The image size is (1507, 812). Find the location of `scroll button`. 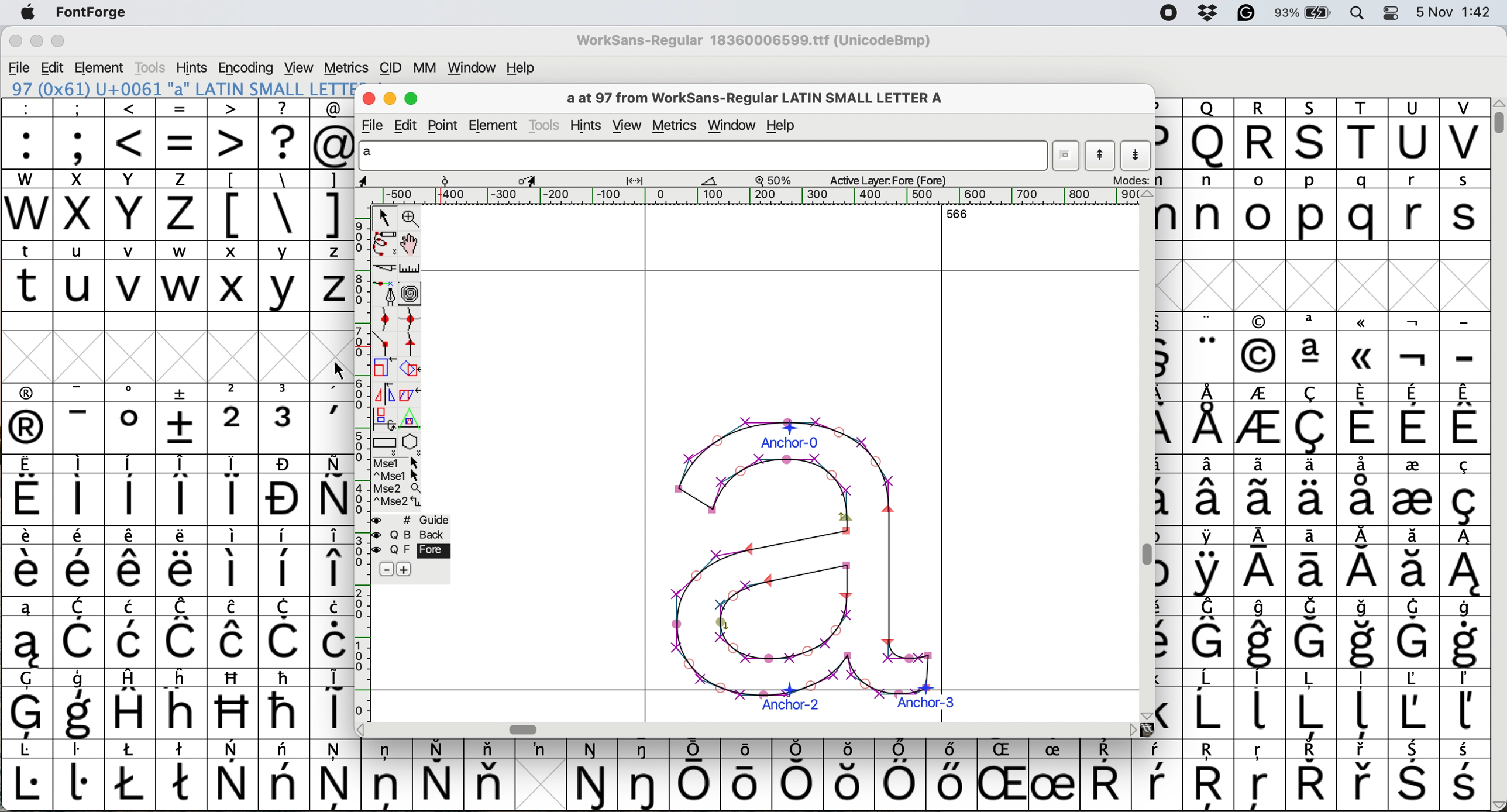

scroll button is located at coordinates (1148, 714).